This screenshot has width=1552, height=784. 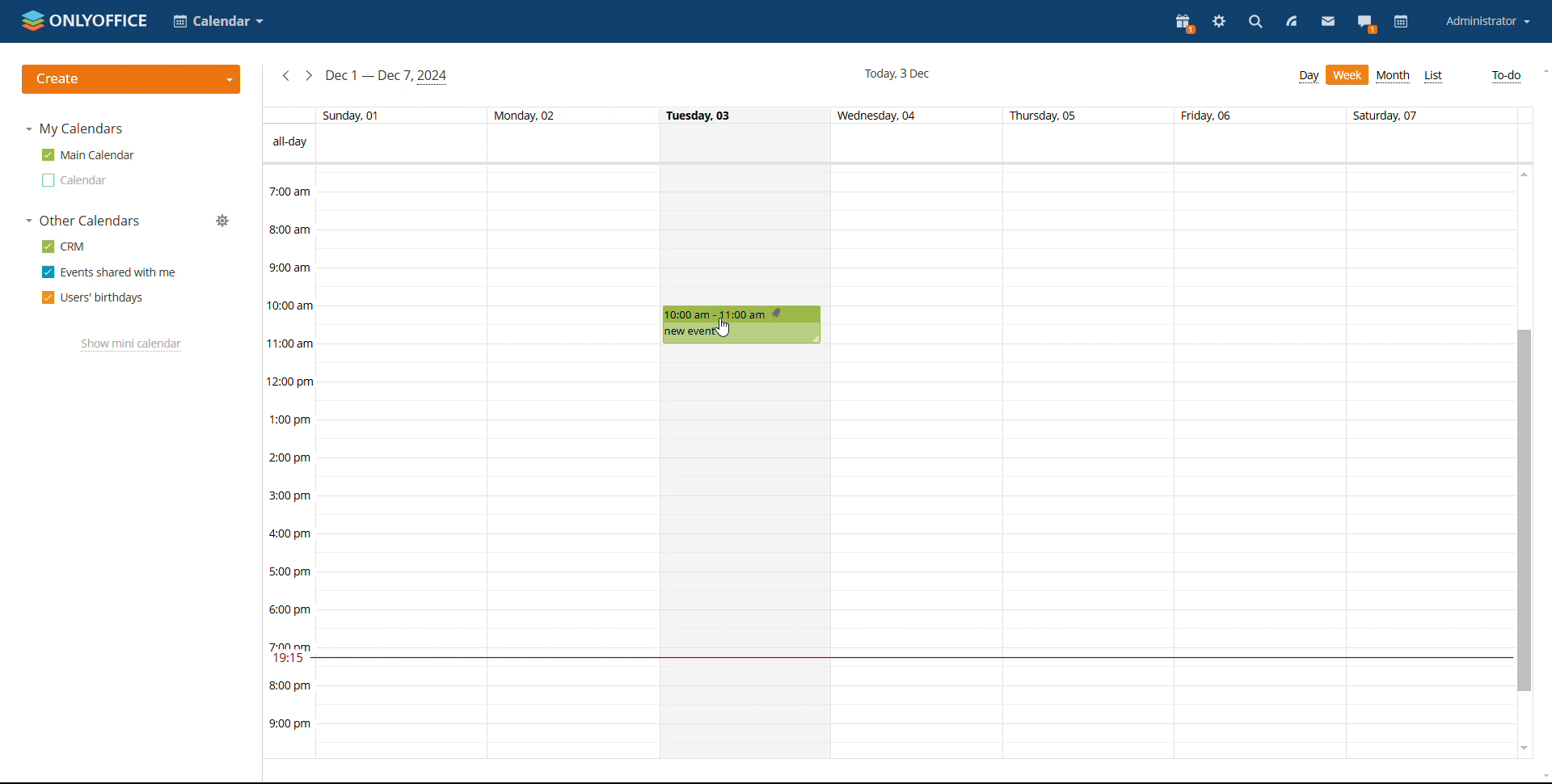 I want to click on Calendar, so click(x=72, y=181).